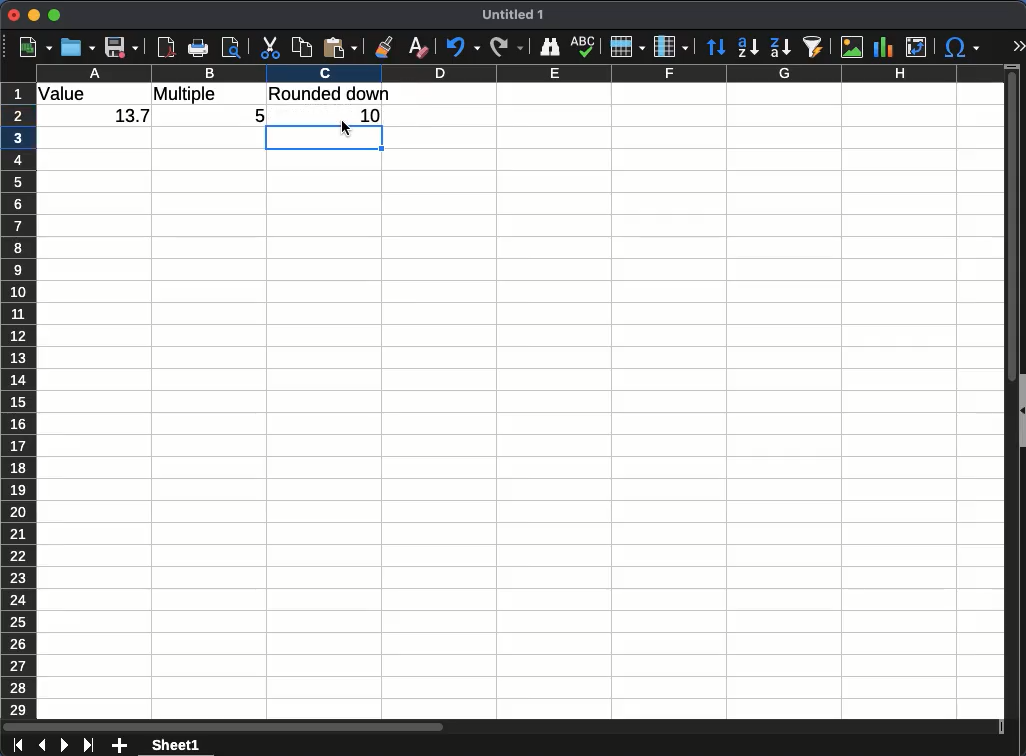  What do you see at coordinates (1018, 46) in the screenshot?
I see `expand` at bounding box center [1018, 46].